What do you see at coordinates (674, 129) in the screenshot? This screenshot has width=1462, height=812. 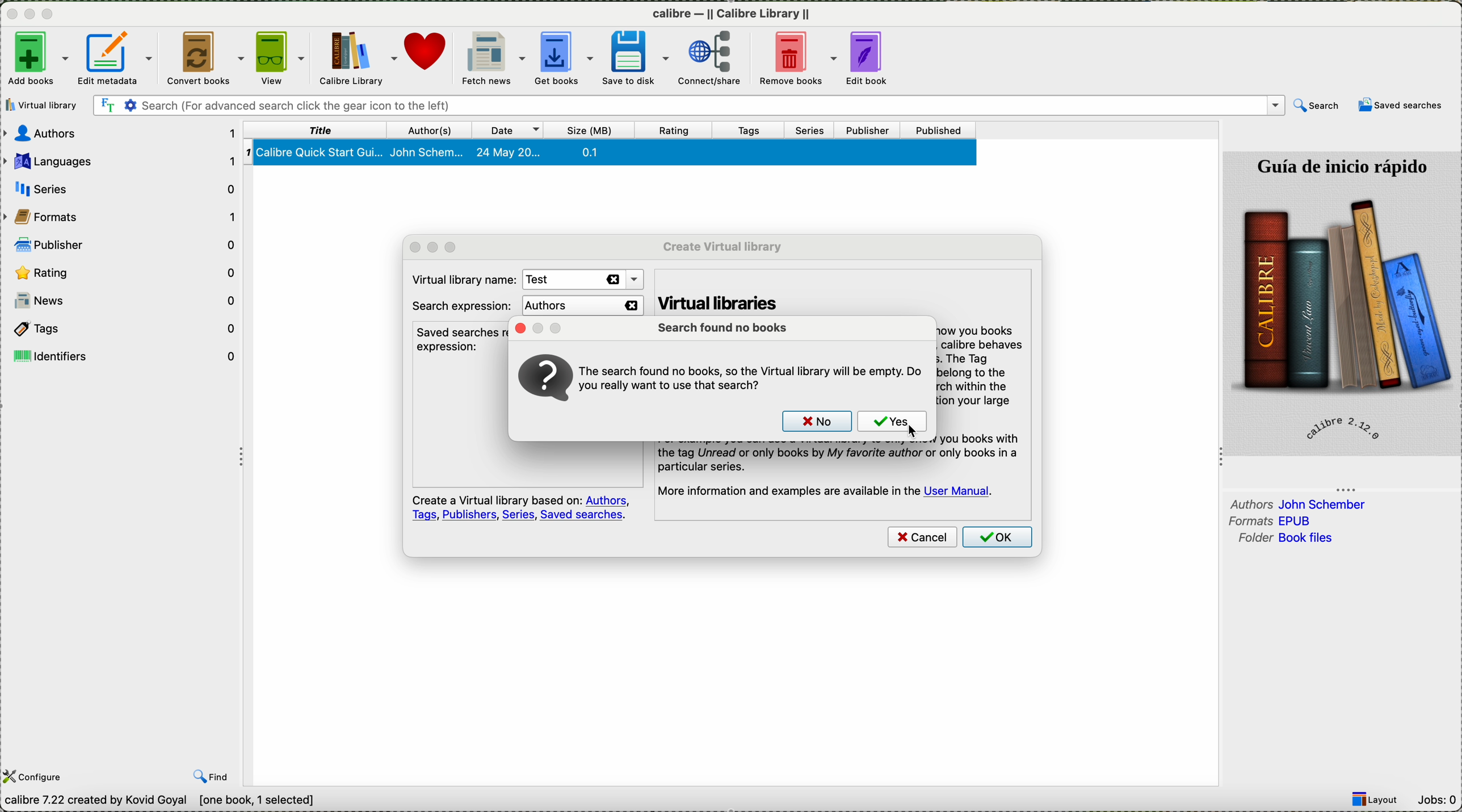 I see `rating` at bounding box center [674, 129].